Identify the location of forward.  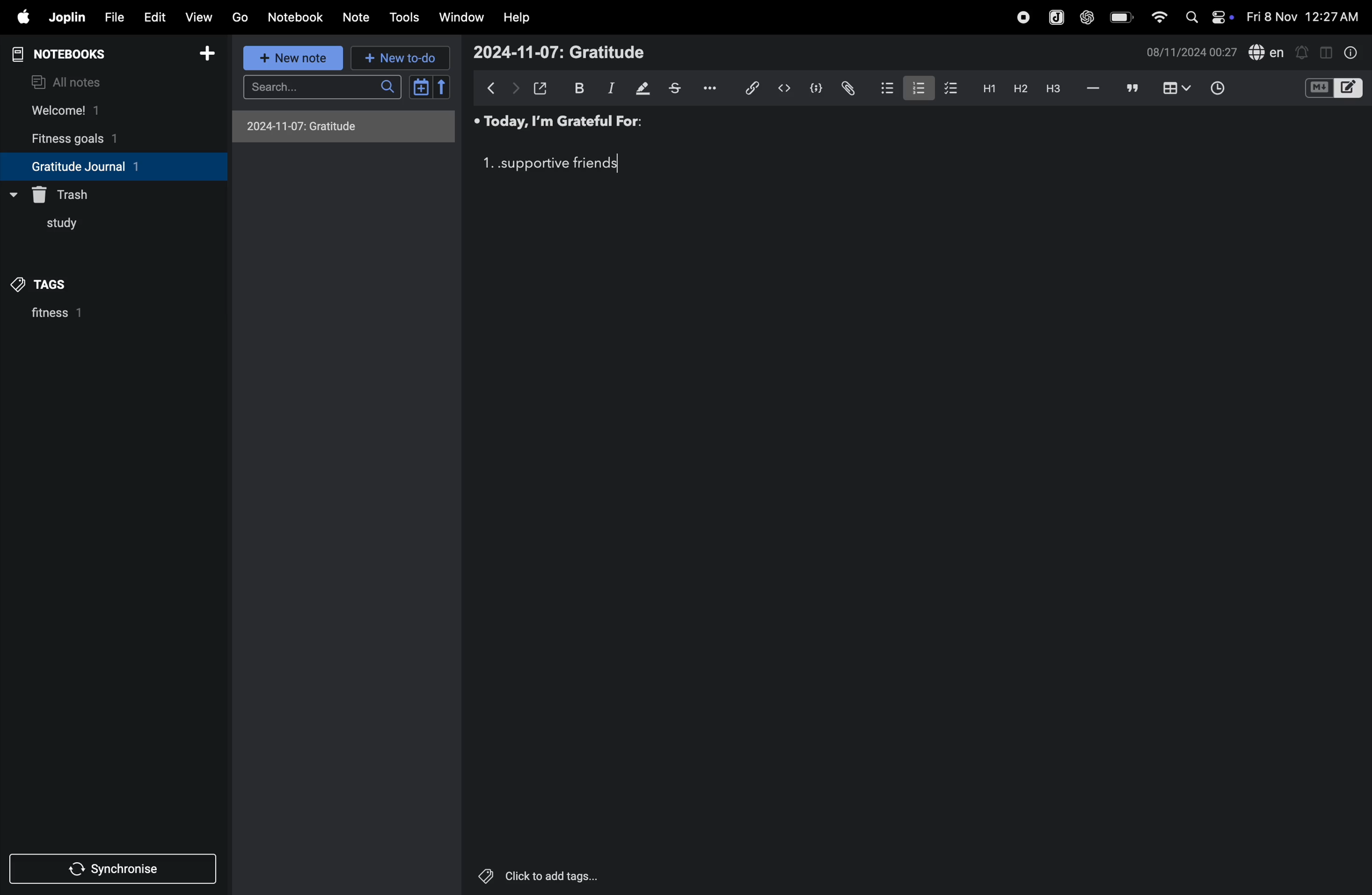
(515, 89).